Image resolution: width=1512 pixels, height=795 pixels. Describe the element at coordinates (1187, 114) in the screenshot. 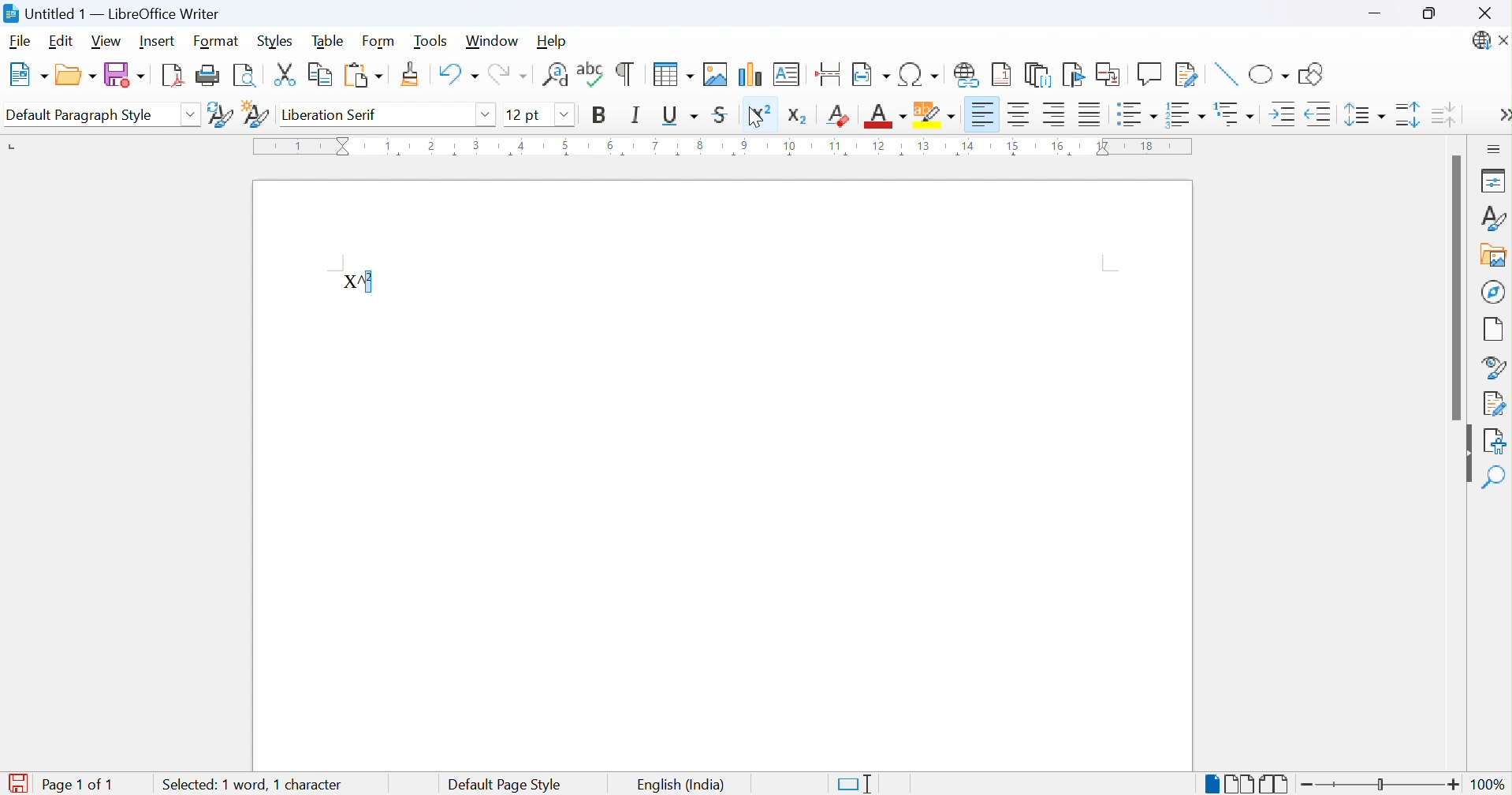

I see `Toggle ordered list` at that location.